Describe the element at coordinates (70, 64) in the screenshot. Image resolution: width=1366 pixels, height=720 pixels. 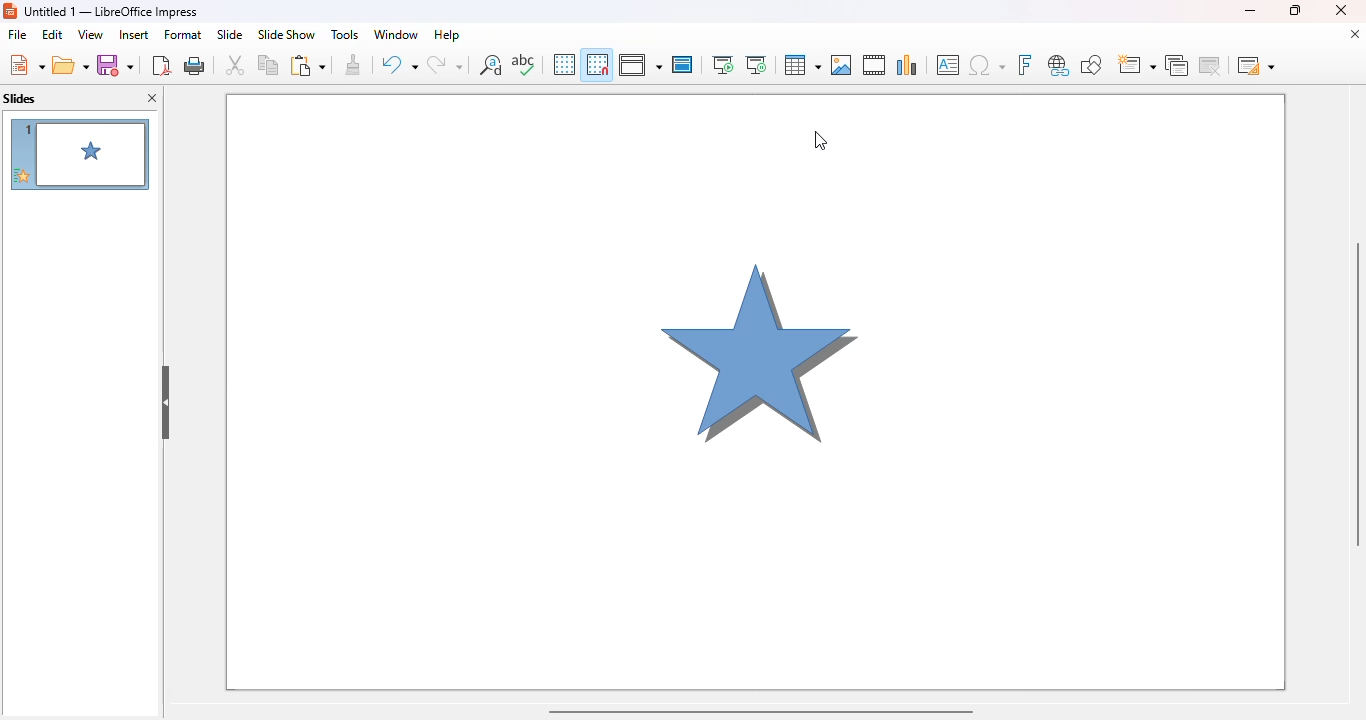
I see `open` at that location.